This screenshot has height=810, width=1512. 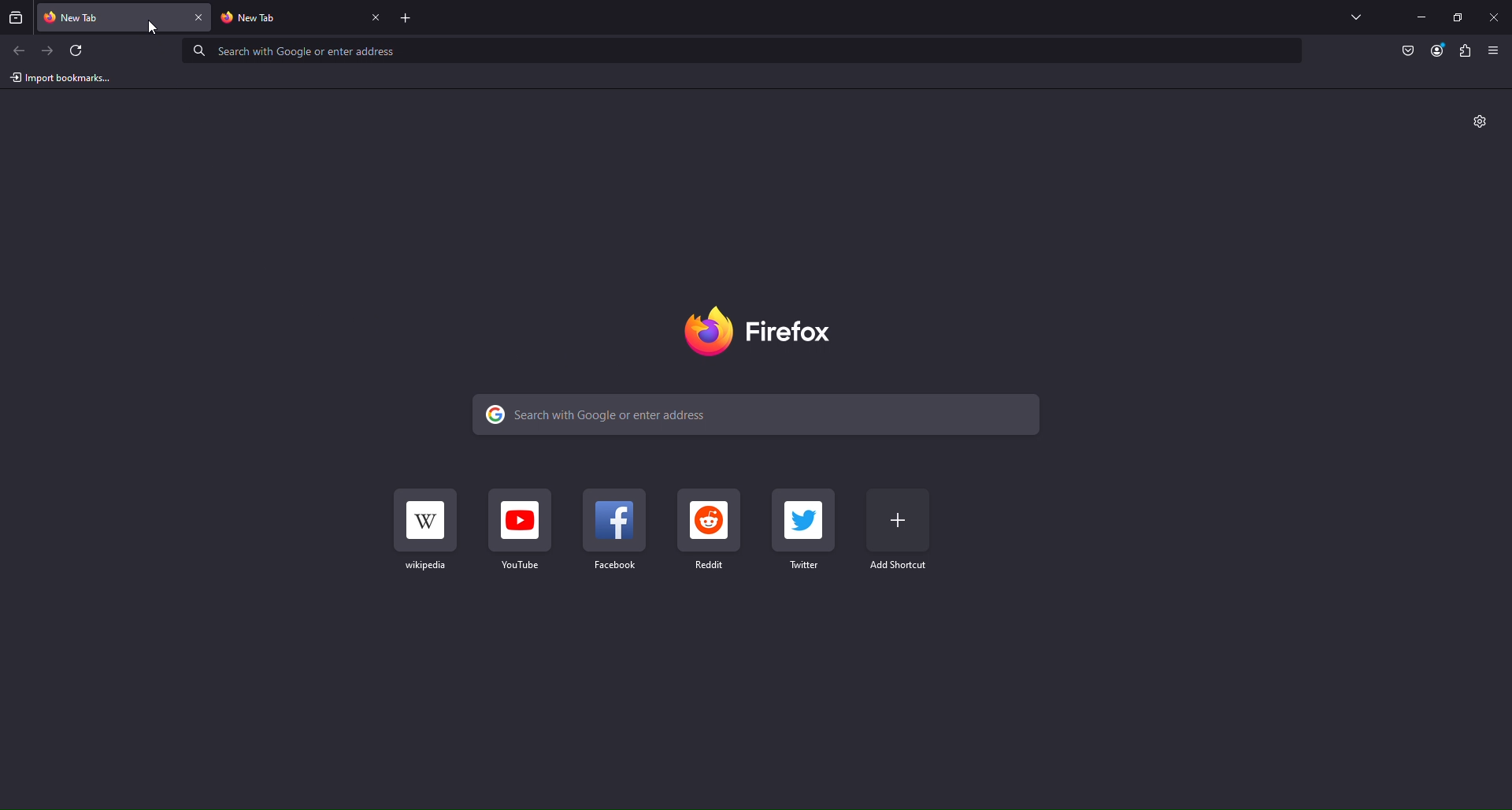 I want to click on Settings, so click(x=1480, y=123).